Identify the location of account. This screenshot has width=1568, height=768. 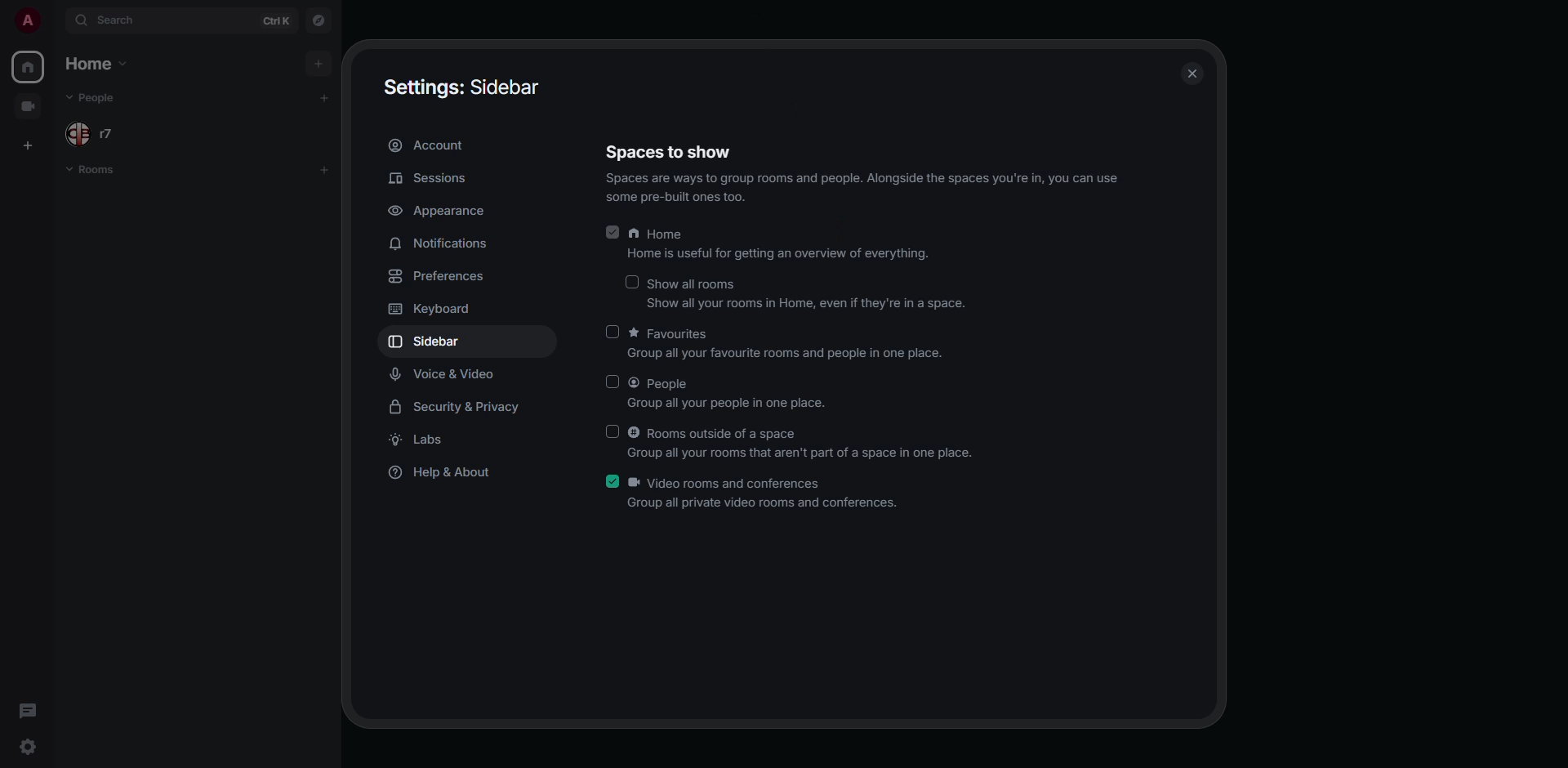
(428, 143).